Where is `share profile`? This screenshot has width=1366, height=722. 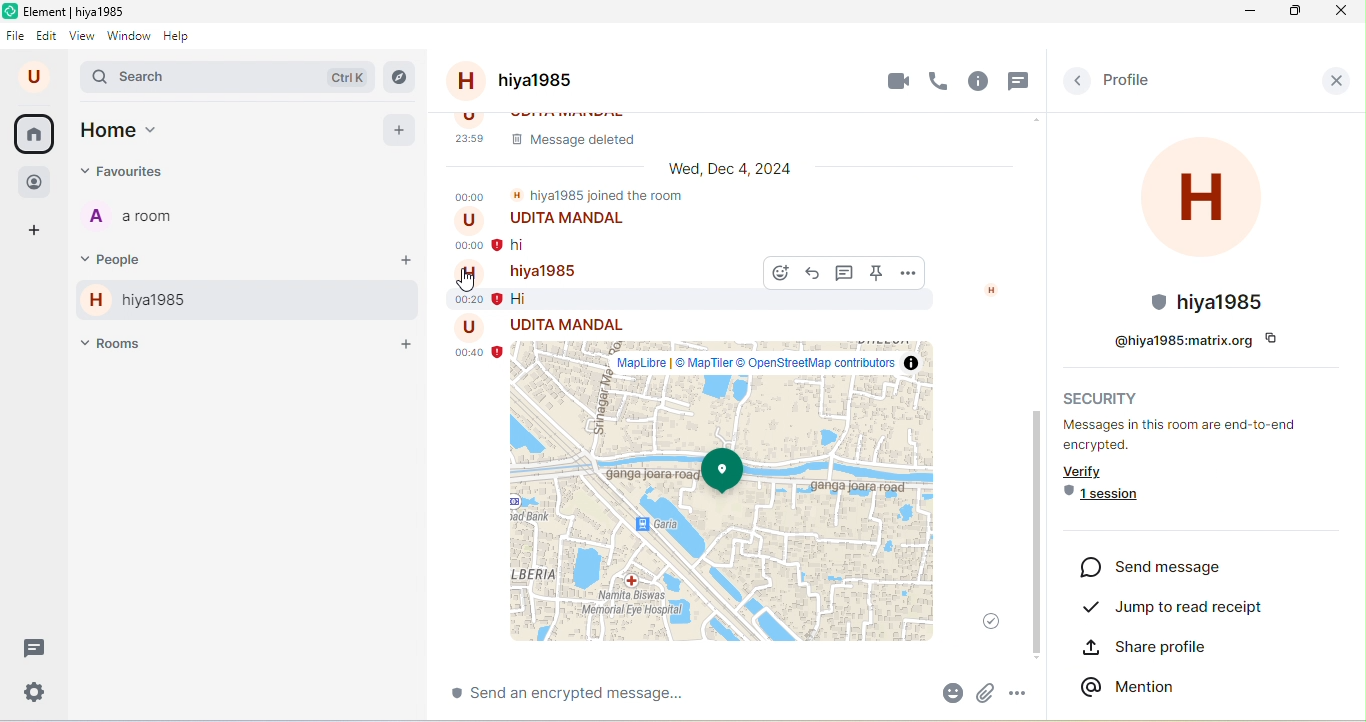
share profile is located at coordinates (1161, 650).